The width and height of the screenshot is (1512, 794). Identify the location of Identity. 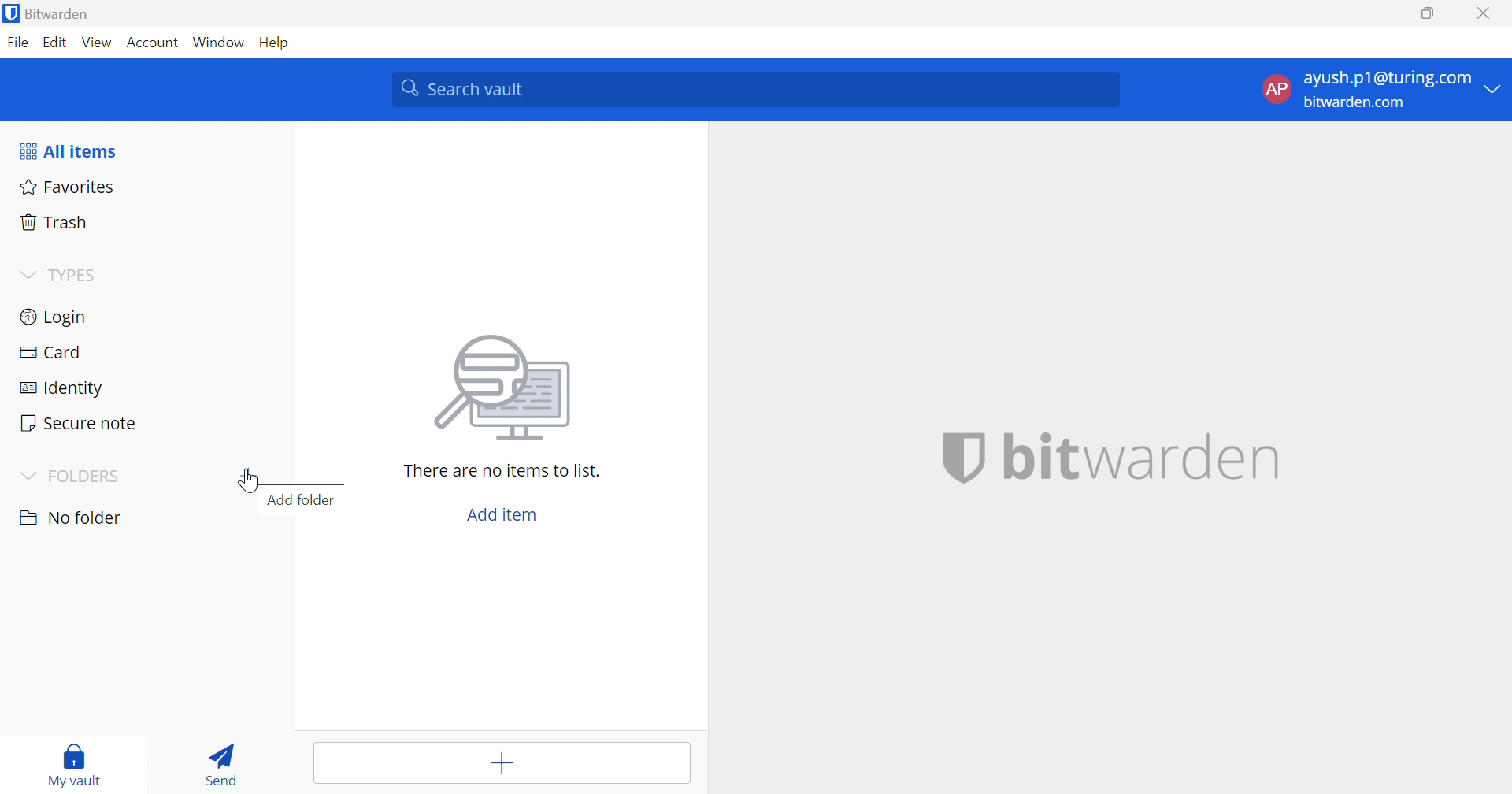
(62, 389).